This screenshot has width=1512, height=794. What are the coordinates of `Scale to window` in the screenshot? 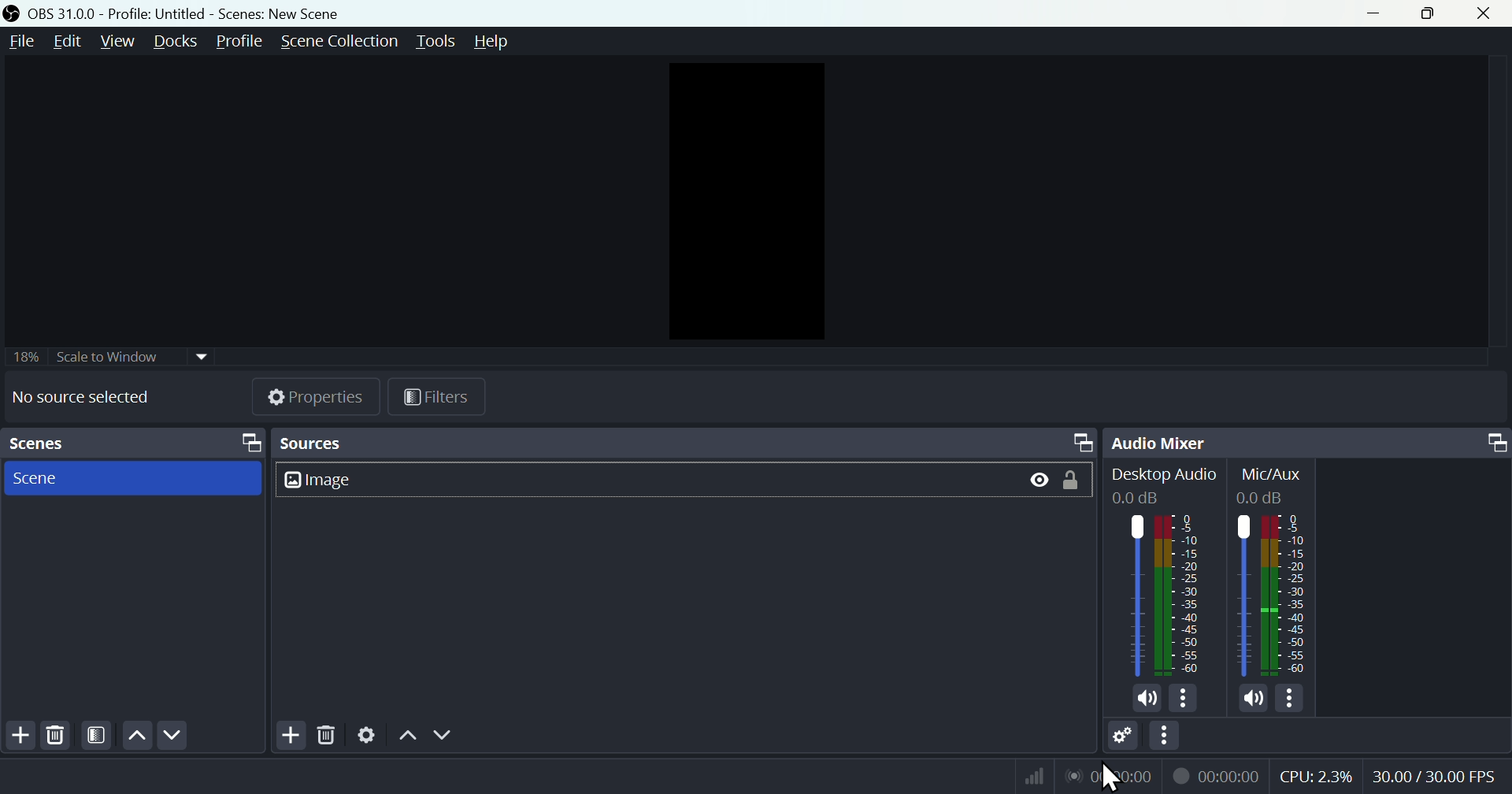 It's located at (109, 356).